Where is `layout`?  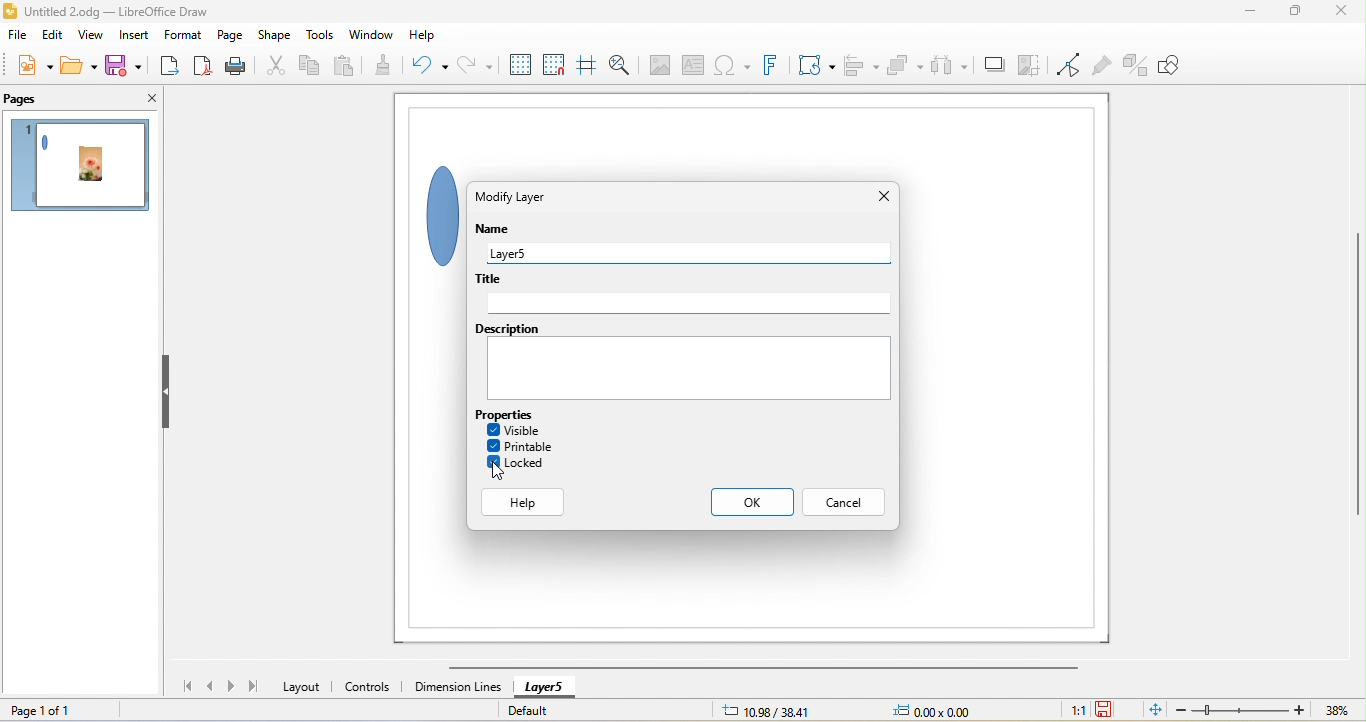
layout is located at coordinates (302, 686).